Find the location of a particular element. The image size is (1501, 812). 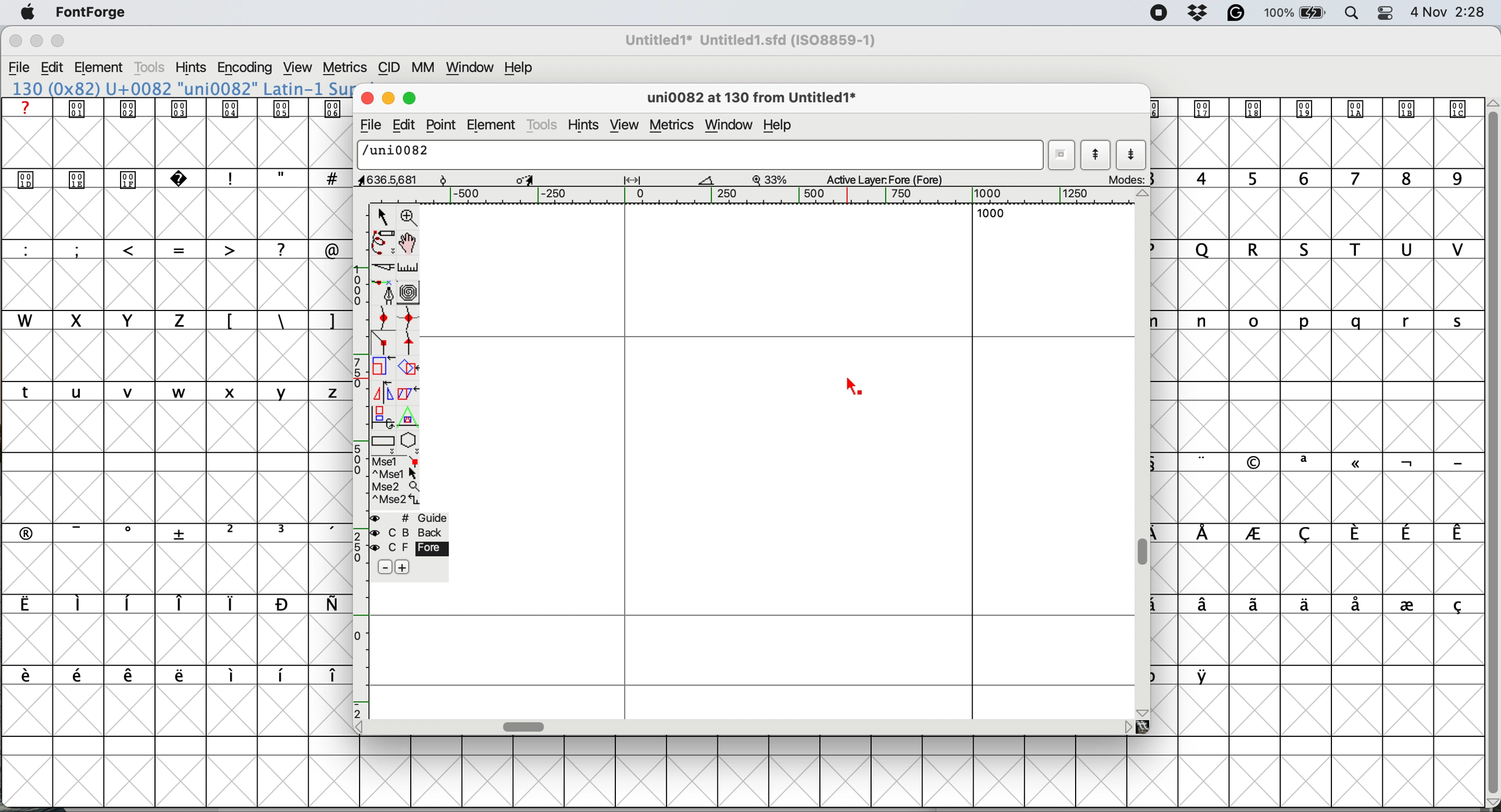

minimise is located at coordinates (36, 41).